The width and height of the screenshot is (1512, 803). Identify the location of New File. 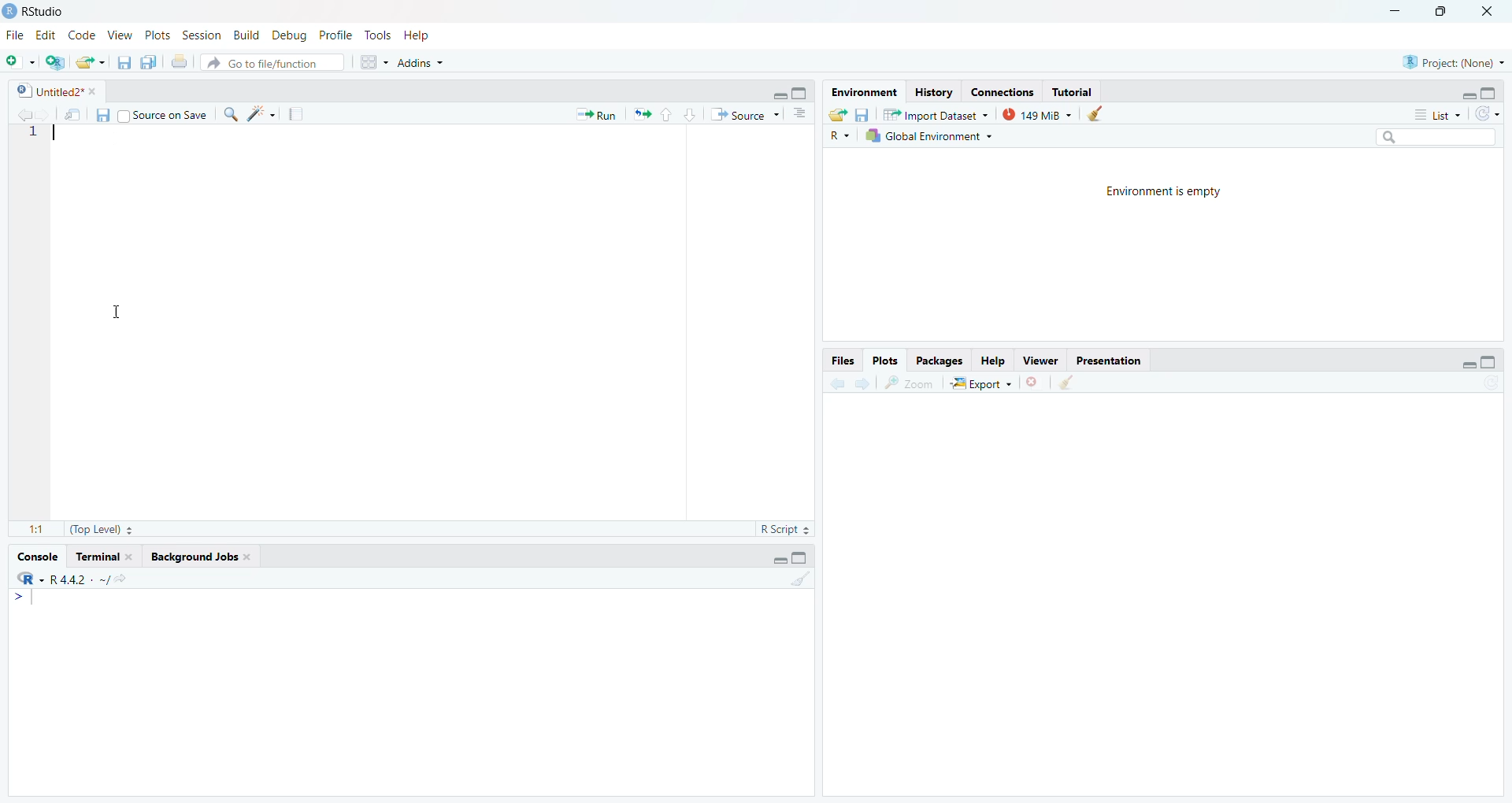
(19, 65).